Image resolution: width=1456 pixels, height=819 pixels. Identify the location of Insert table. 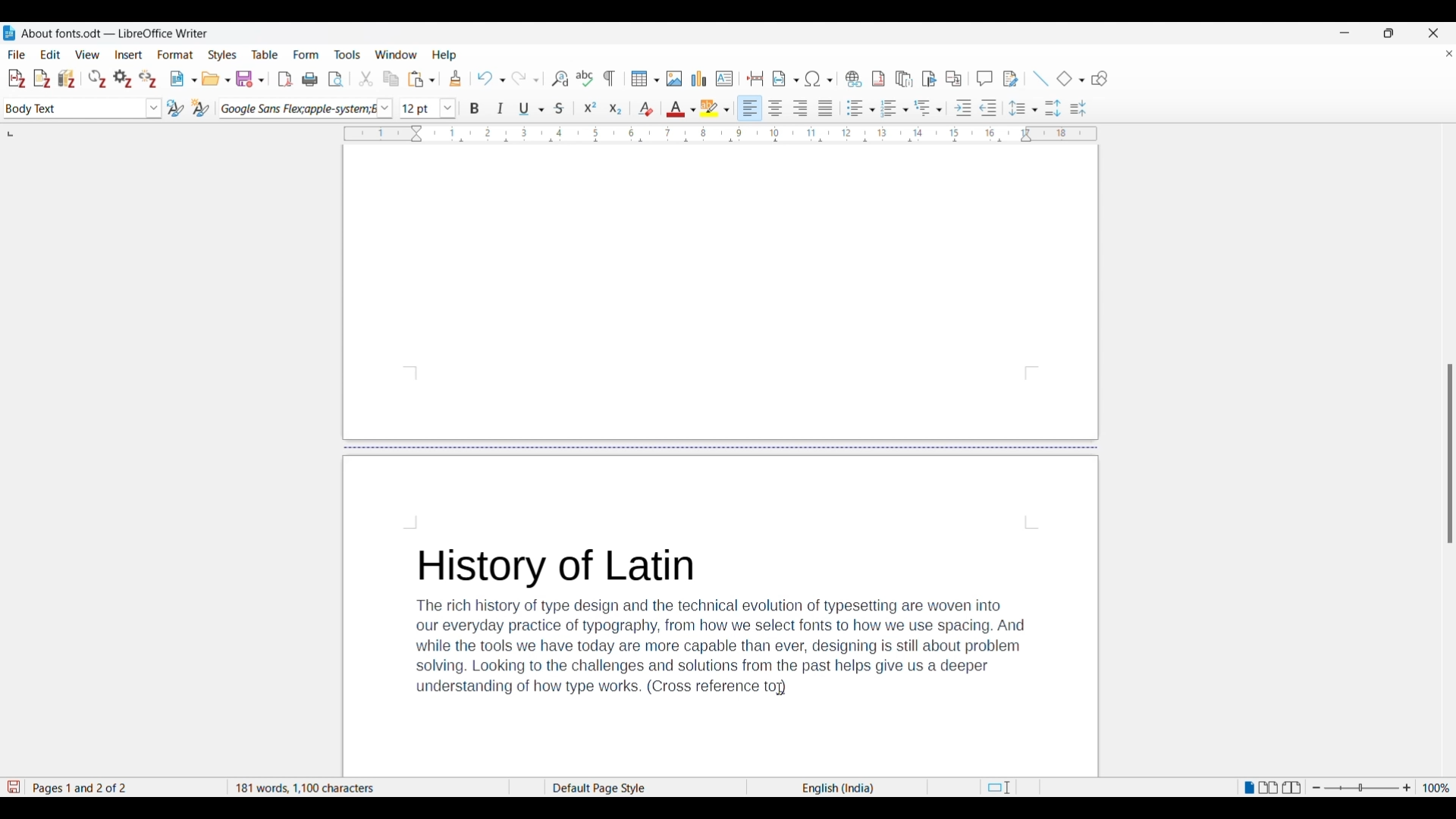
(645, 79).